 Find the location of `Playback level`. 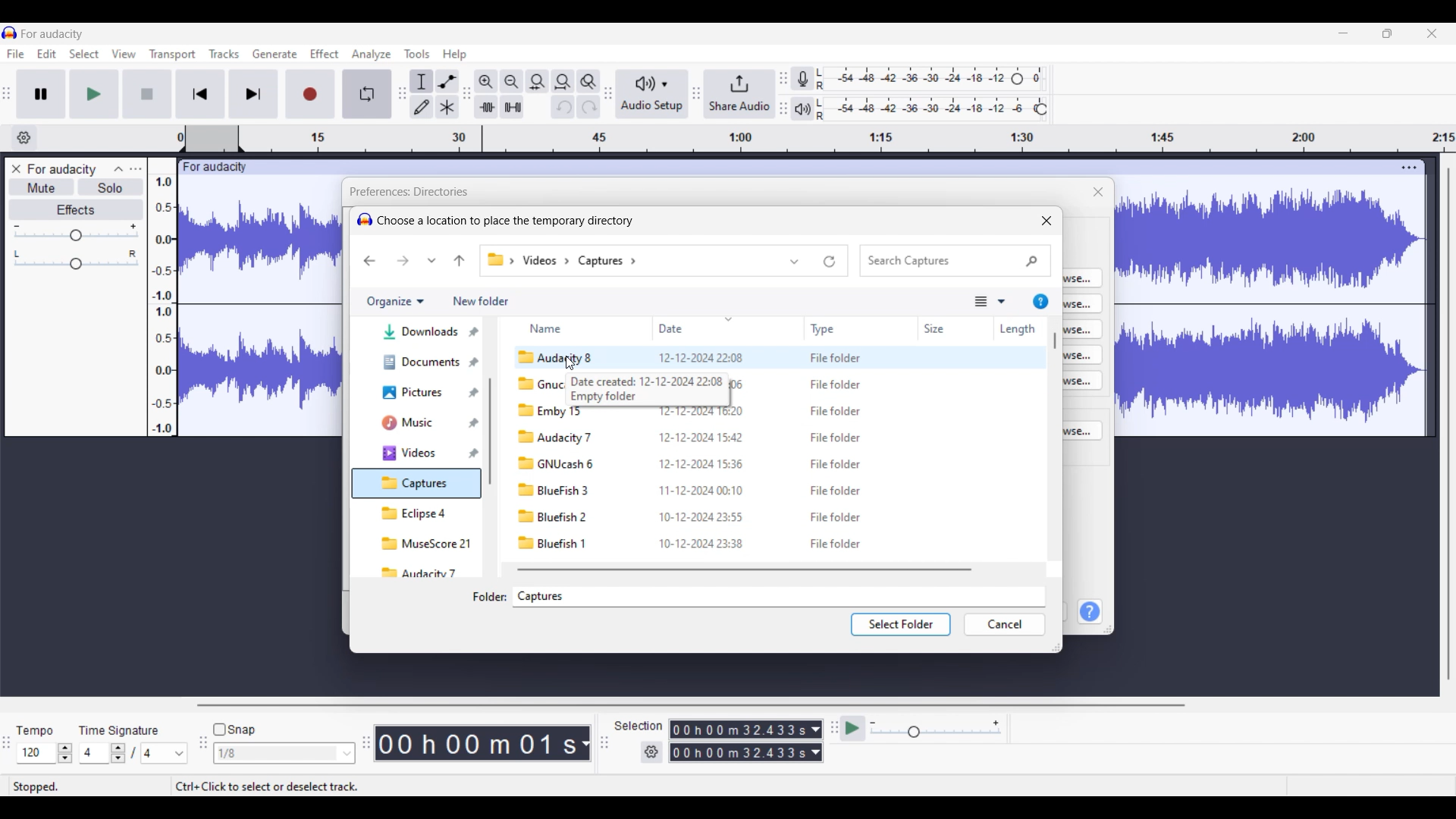

Playback level is located at coordinates (924, 109).